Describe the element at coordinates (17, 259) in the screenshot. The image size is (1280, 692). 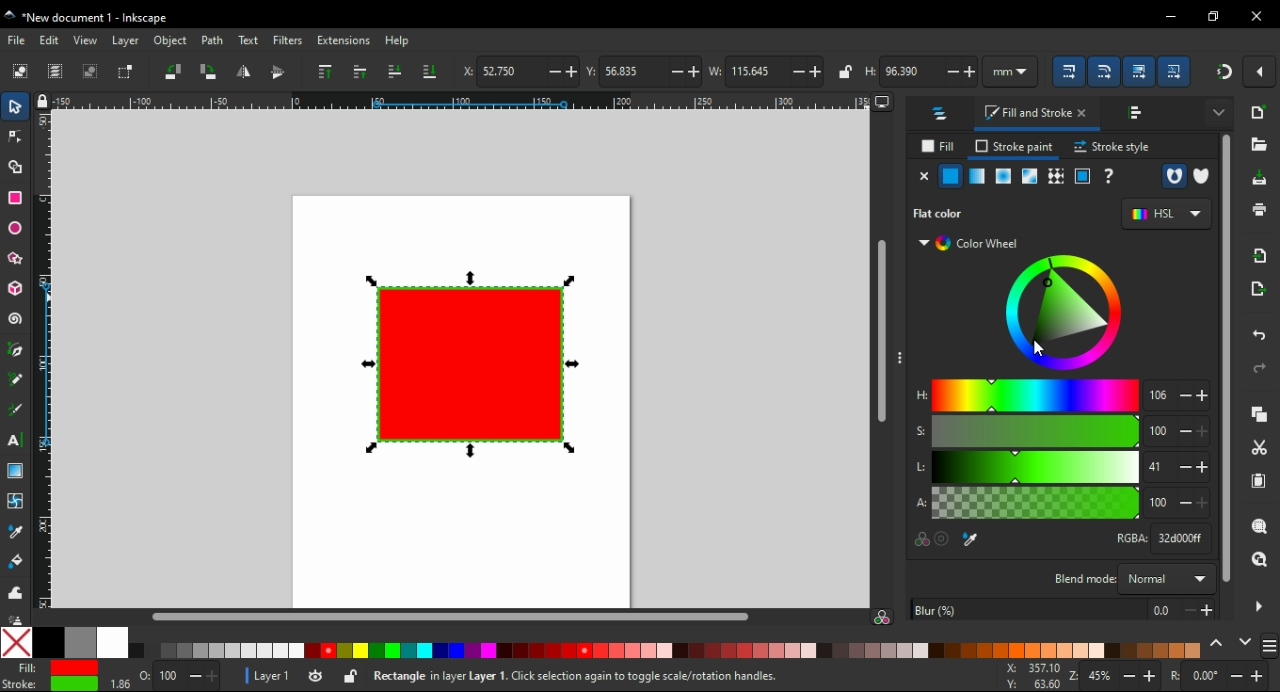
I see `star/polygon tool` at that location.